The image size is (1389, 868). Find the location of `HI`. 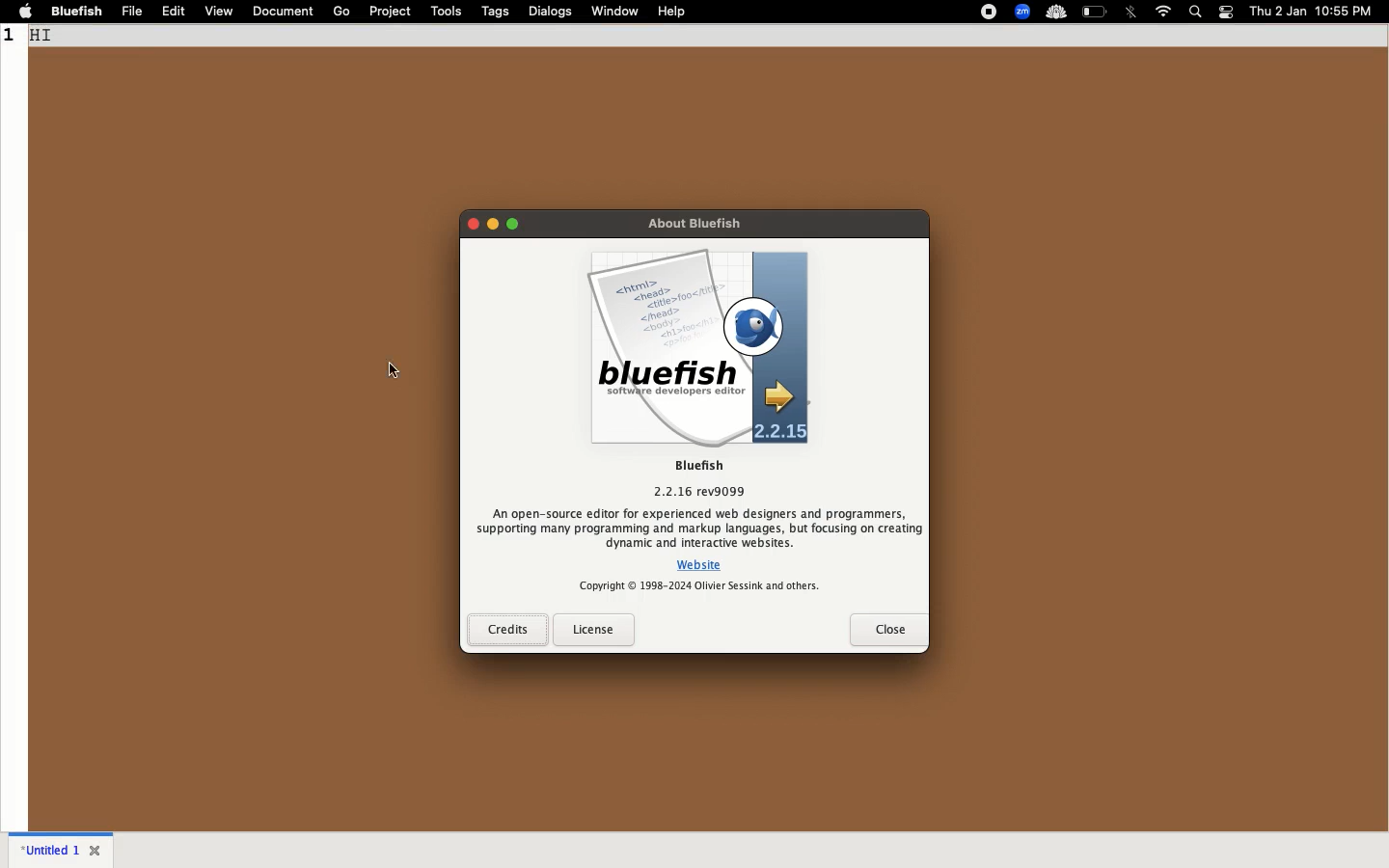

HI is located at coordinates (41, 35).